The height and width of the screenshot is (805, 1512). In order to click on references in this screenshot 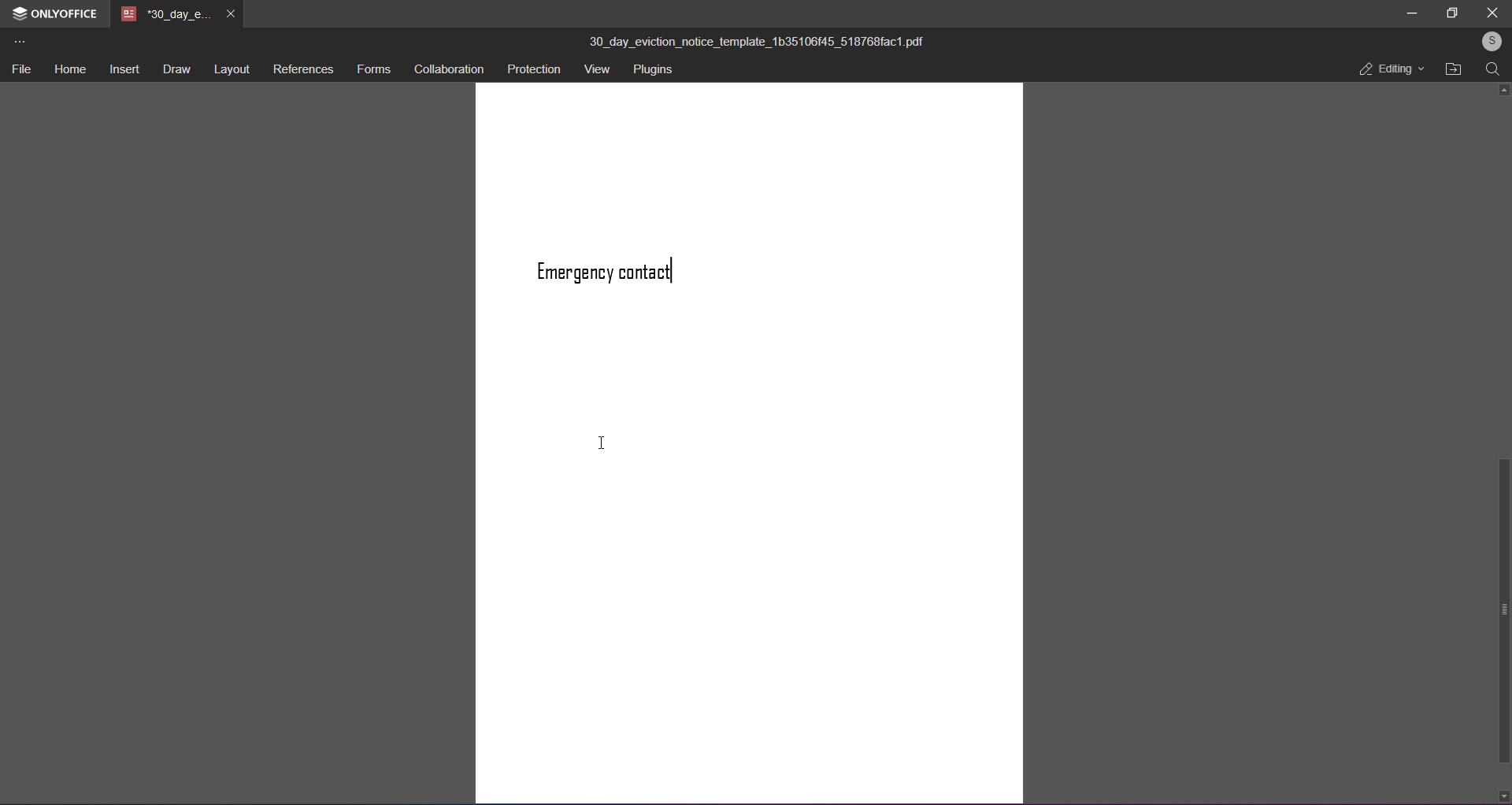, I will do `click(302, 71)`.